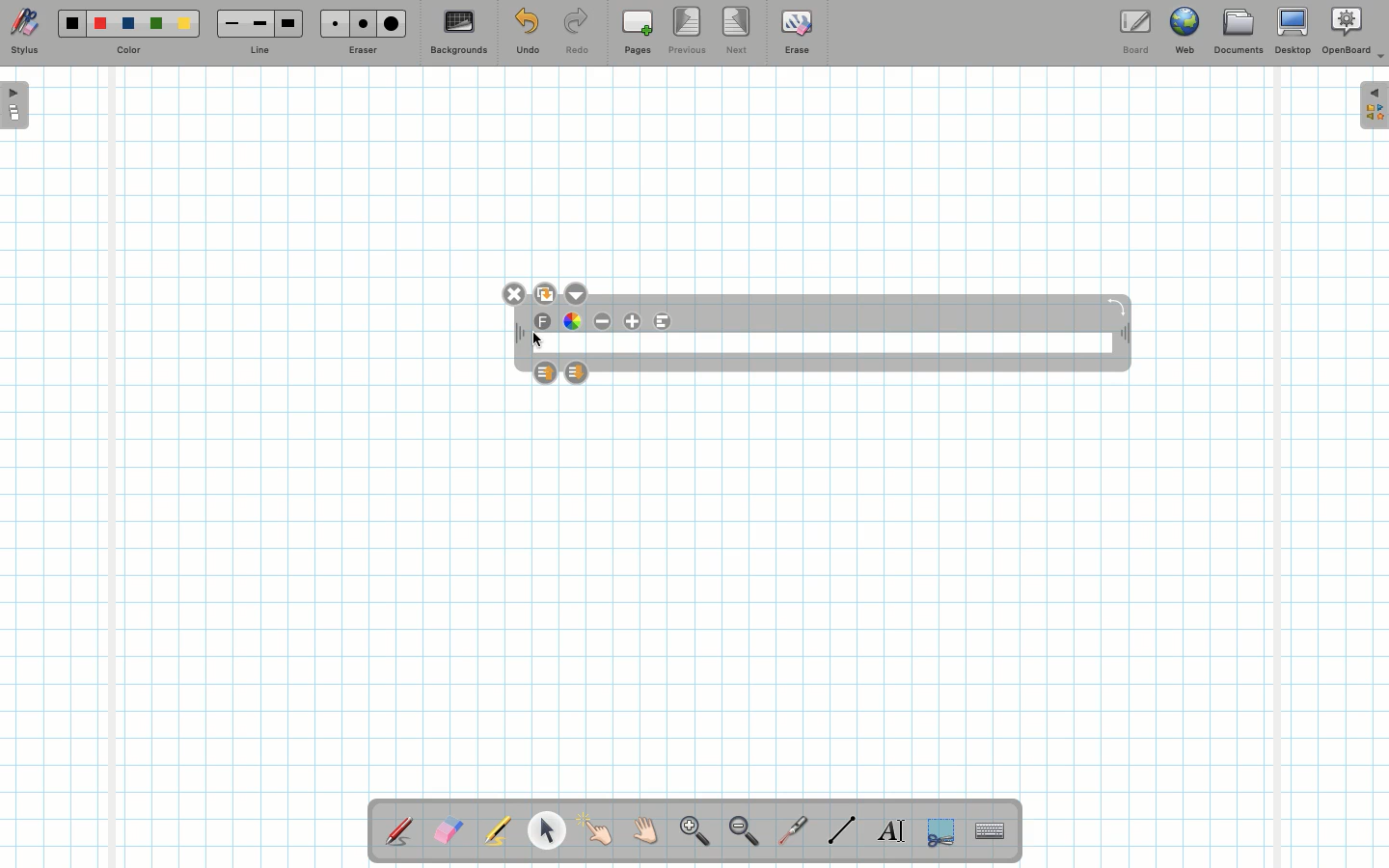 The height and width of the screenshot is (868, 1389). What do you see at coordinates (638, 34) in the screenshot?
I see `Pages` at bounding box center [638, 34].